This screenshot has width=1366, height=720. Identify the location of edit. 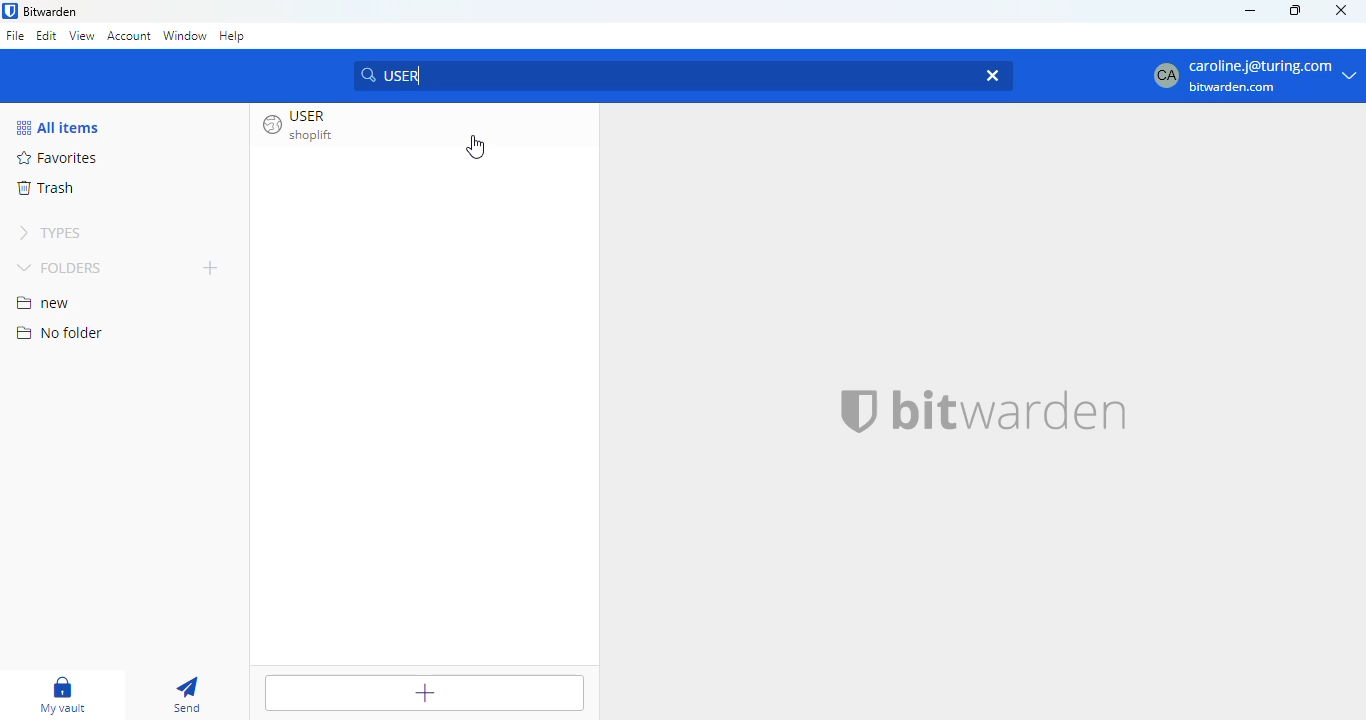
(48, 34).